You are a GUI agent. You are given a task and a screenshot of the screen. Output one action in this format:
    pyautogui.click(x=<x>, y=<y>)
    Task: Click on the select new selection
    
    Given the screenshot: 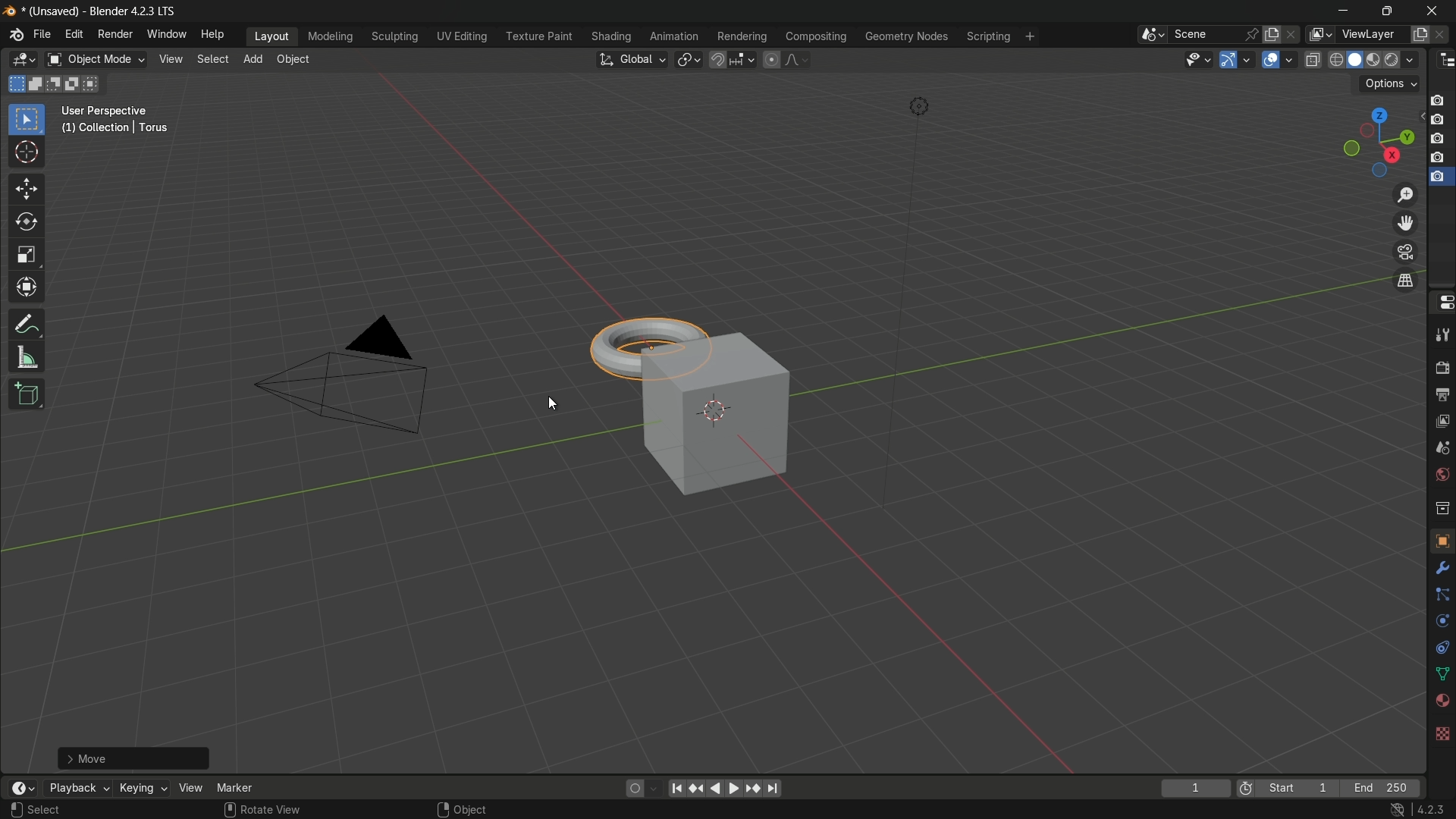 What is the action you would take?
    pyautogui.click(x=14, y=84)
    